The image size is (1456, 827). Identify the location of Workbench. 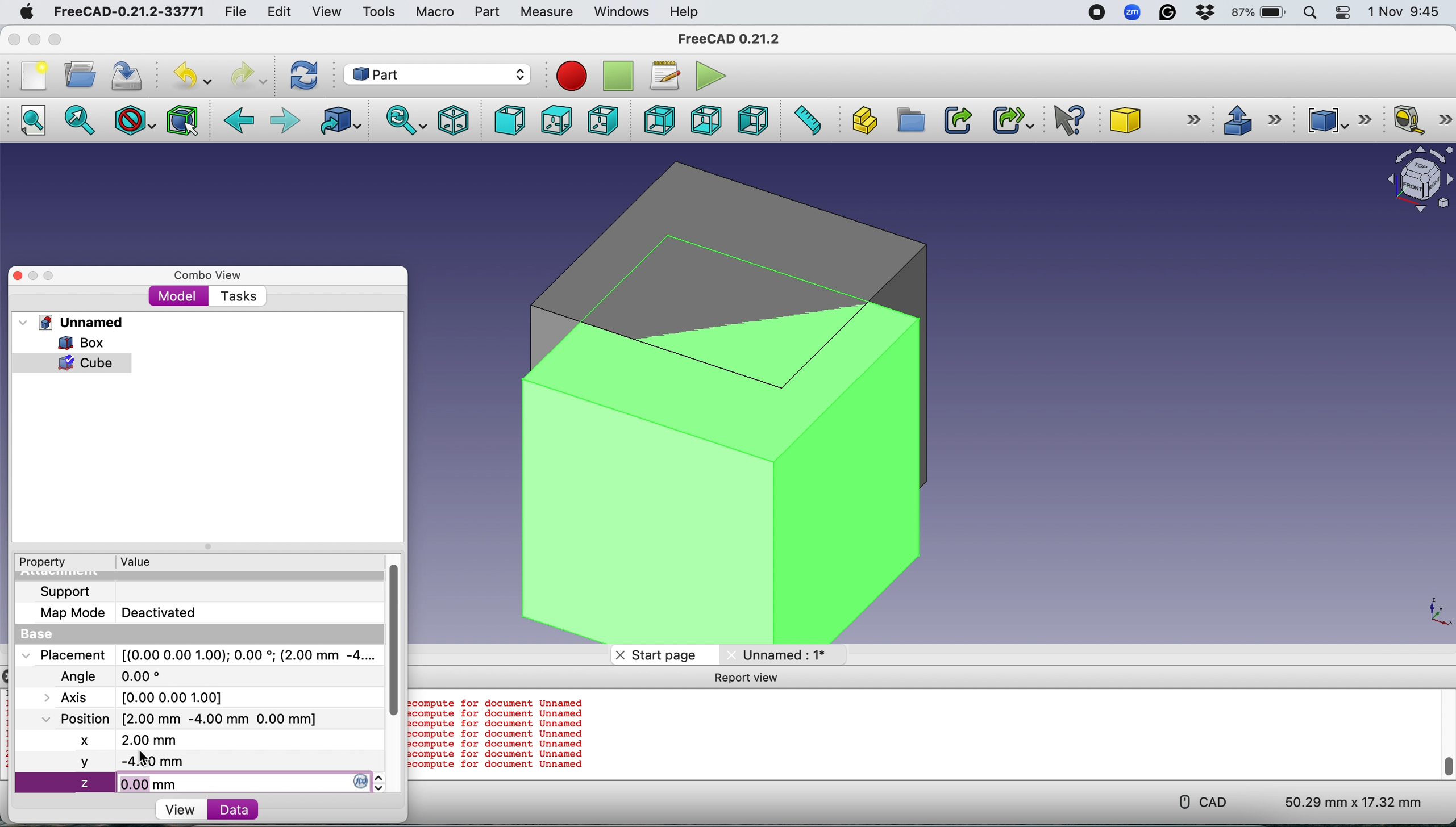
(436, 73).